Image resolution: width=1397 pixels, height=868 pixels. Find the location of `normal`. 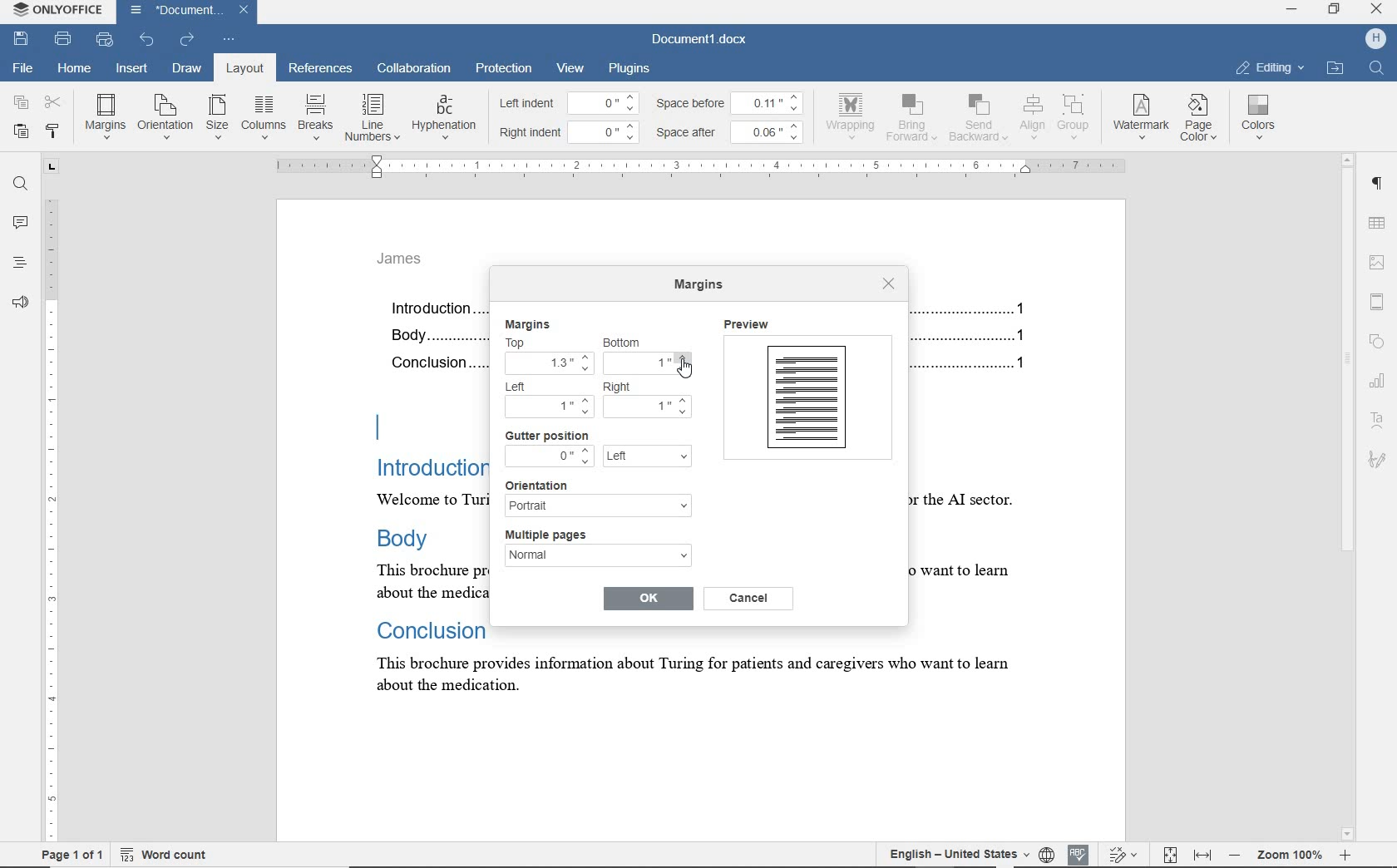

normal is located at coordinates (597, 559).